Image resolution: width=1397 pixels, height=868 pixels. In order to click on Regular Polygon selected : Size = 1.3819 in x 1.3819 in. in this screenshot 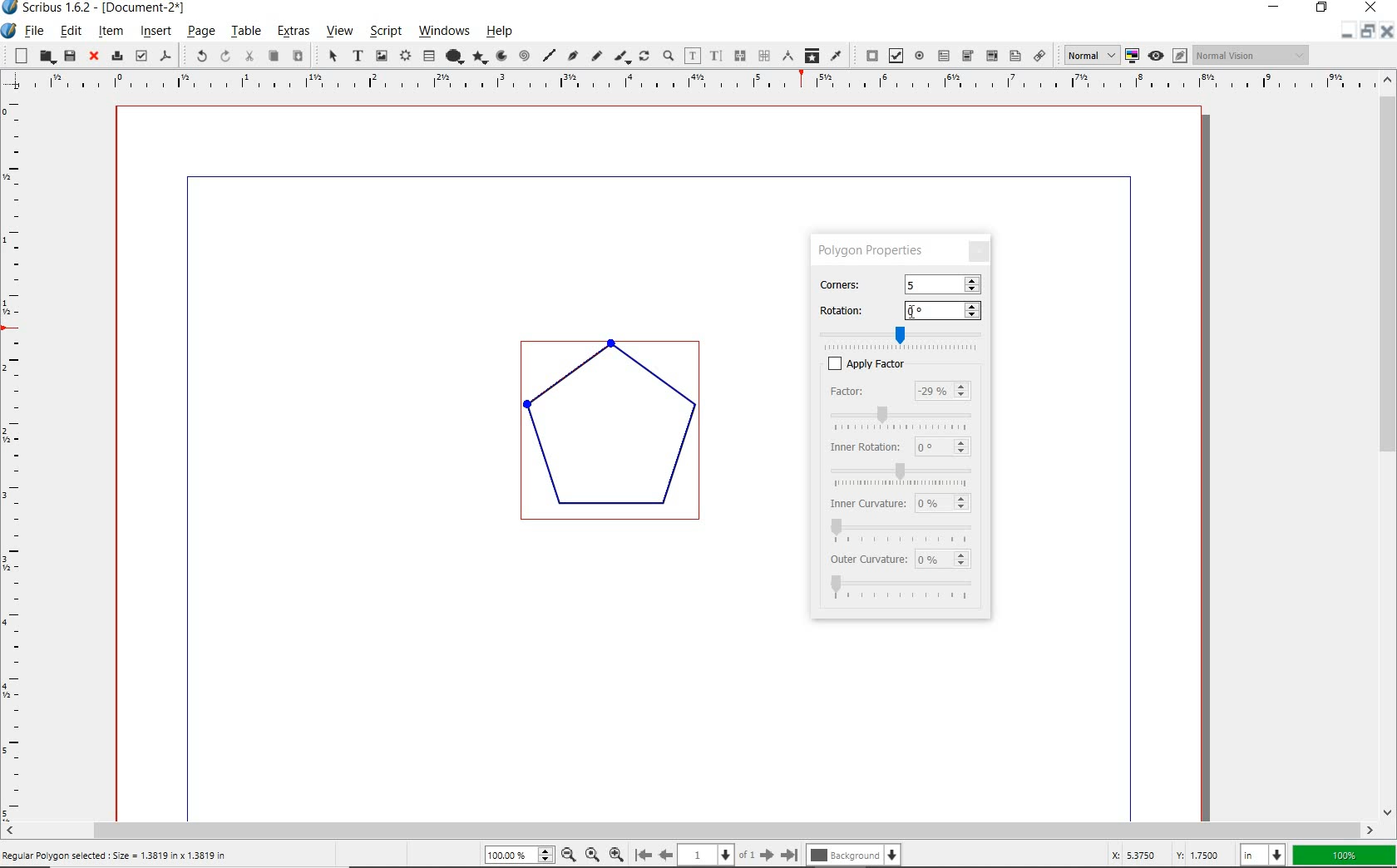, I will do `click(120, 856)`.